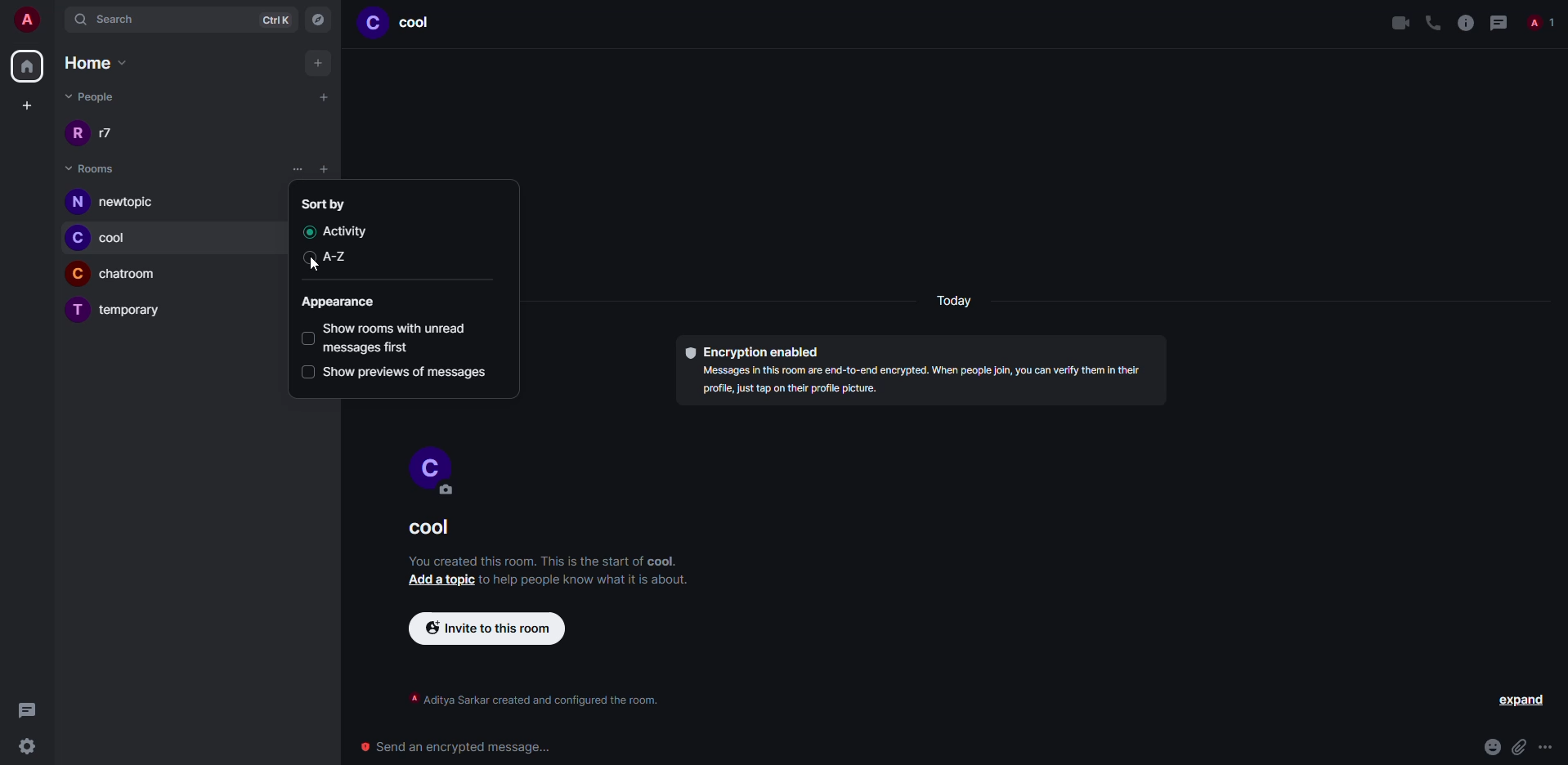 This screenshot has height=765, width=1568. I want to click on show rooms with unread first, so click(403, 334).